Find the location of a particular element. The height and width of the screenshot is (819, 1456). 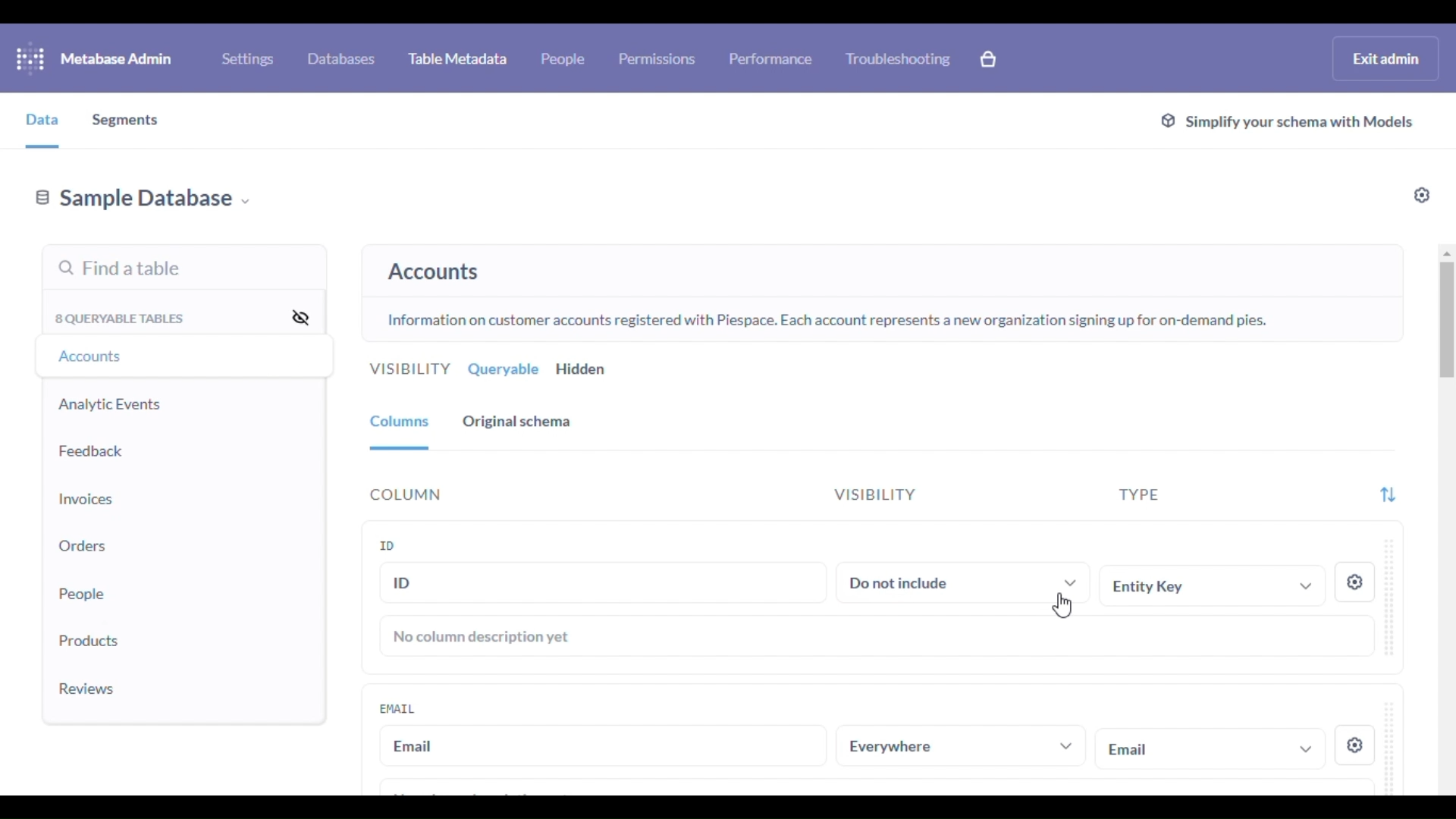

products is located at coordinates (91, 641).